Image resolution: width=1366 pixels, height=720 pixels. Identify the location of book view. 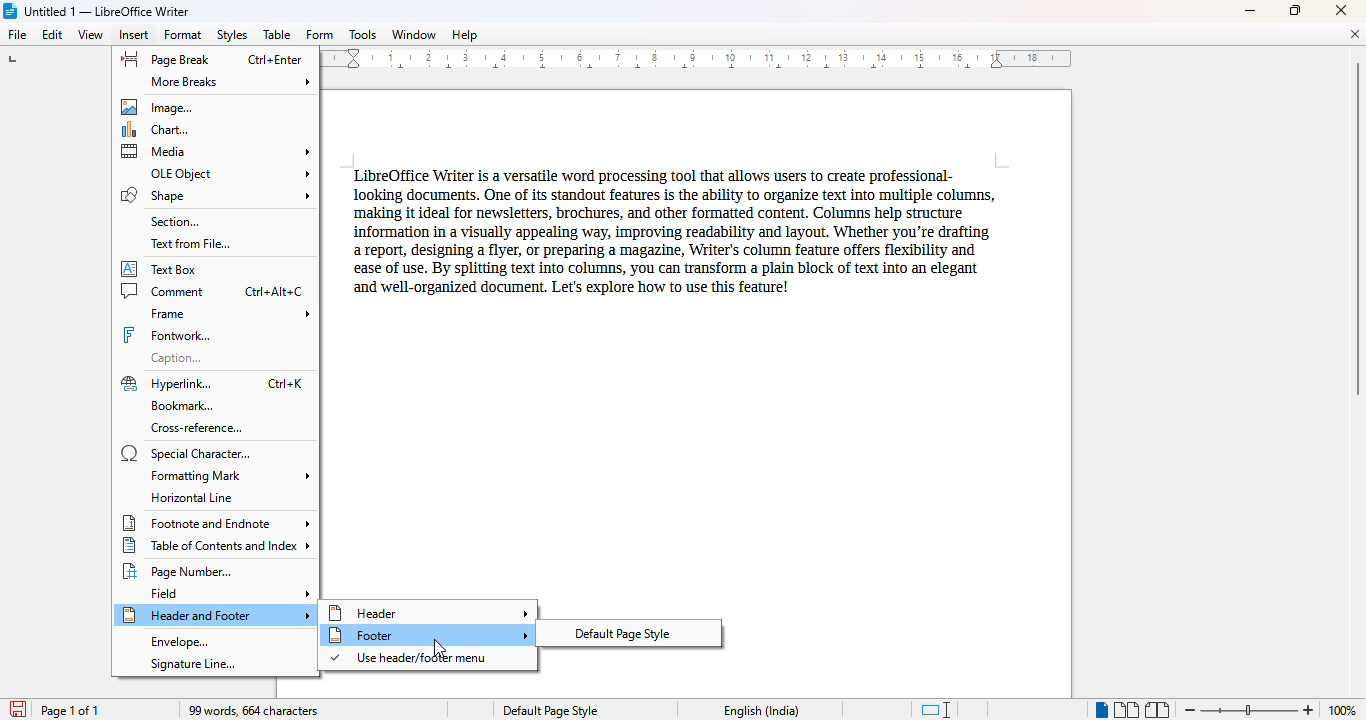
(1156, 710).